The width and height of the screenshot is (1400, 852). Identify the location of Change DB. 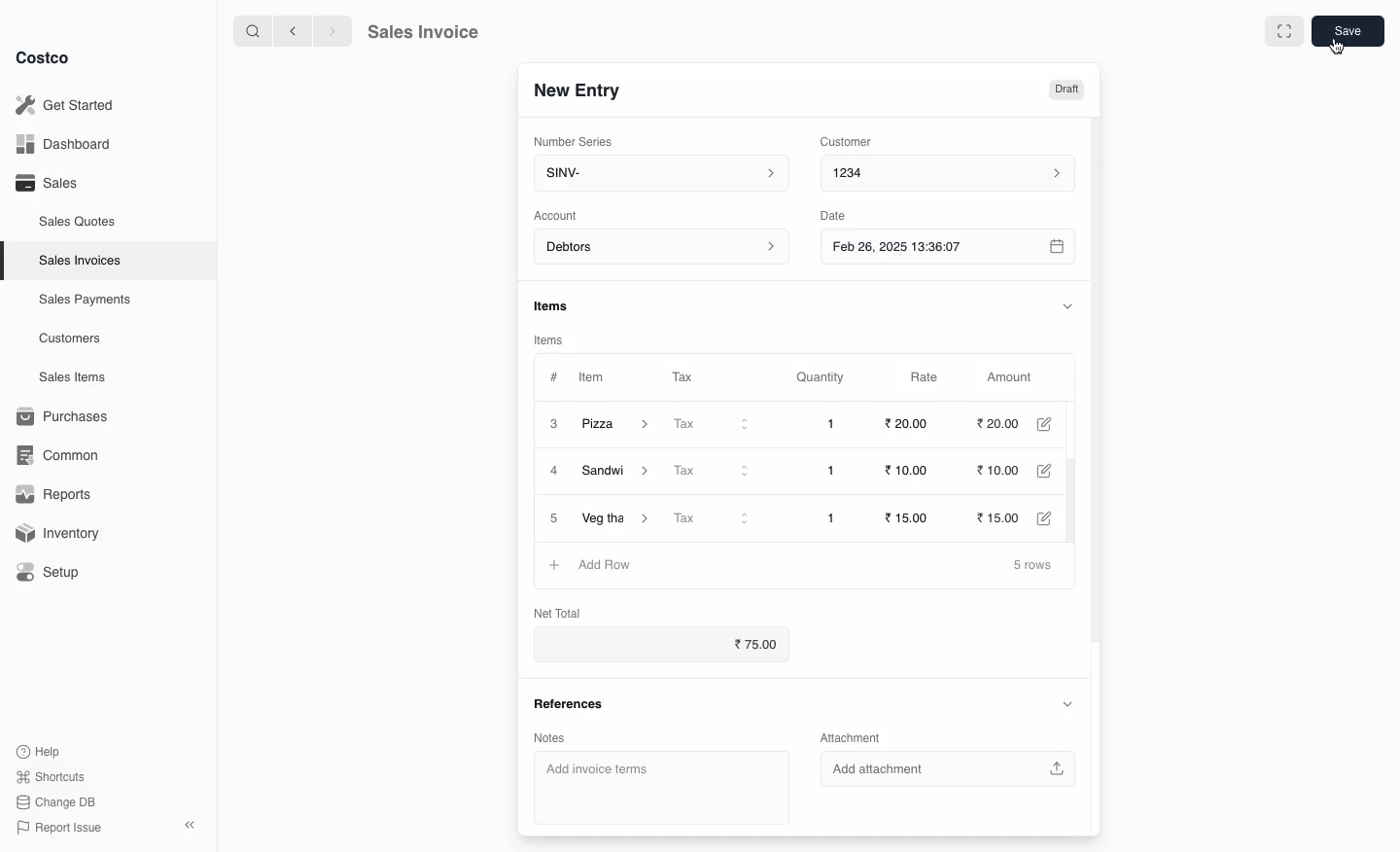
(52, 800).